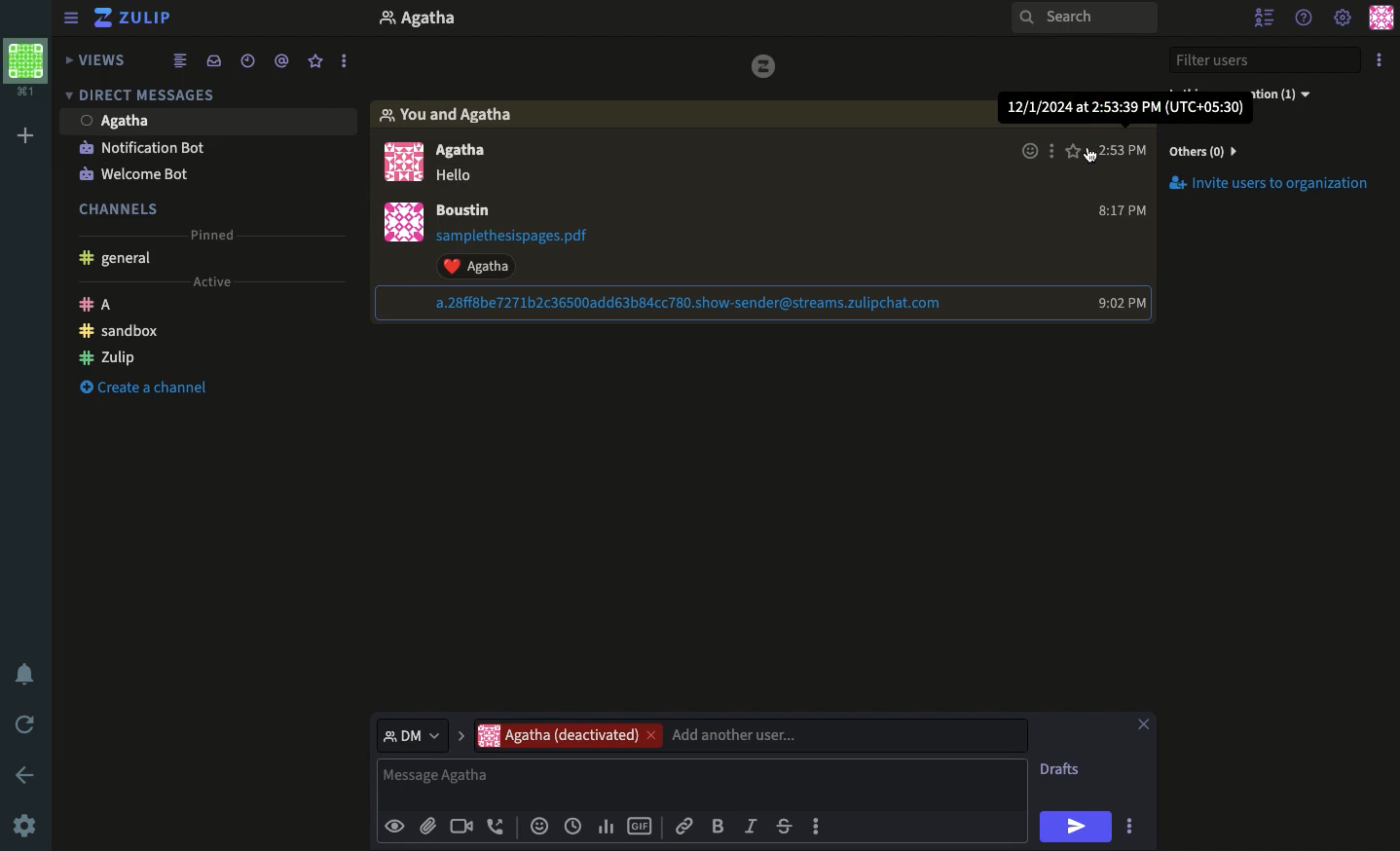 Image resolution: width=1400 pixels, height=851 pixels. I want to click on Text, so click(461, 173).